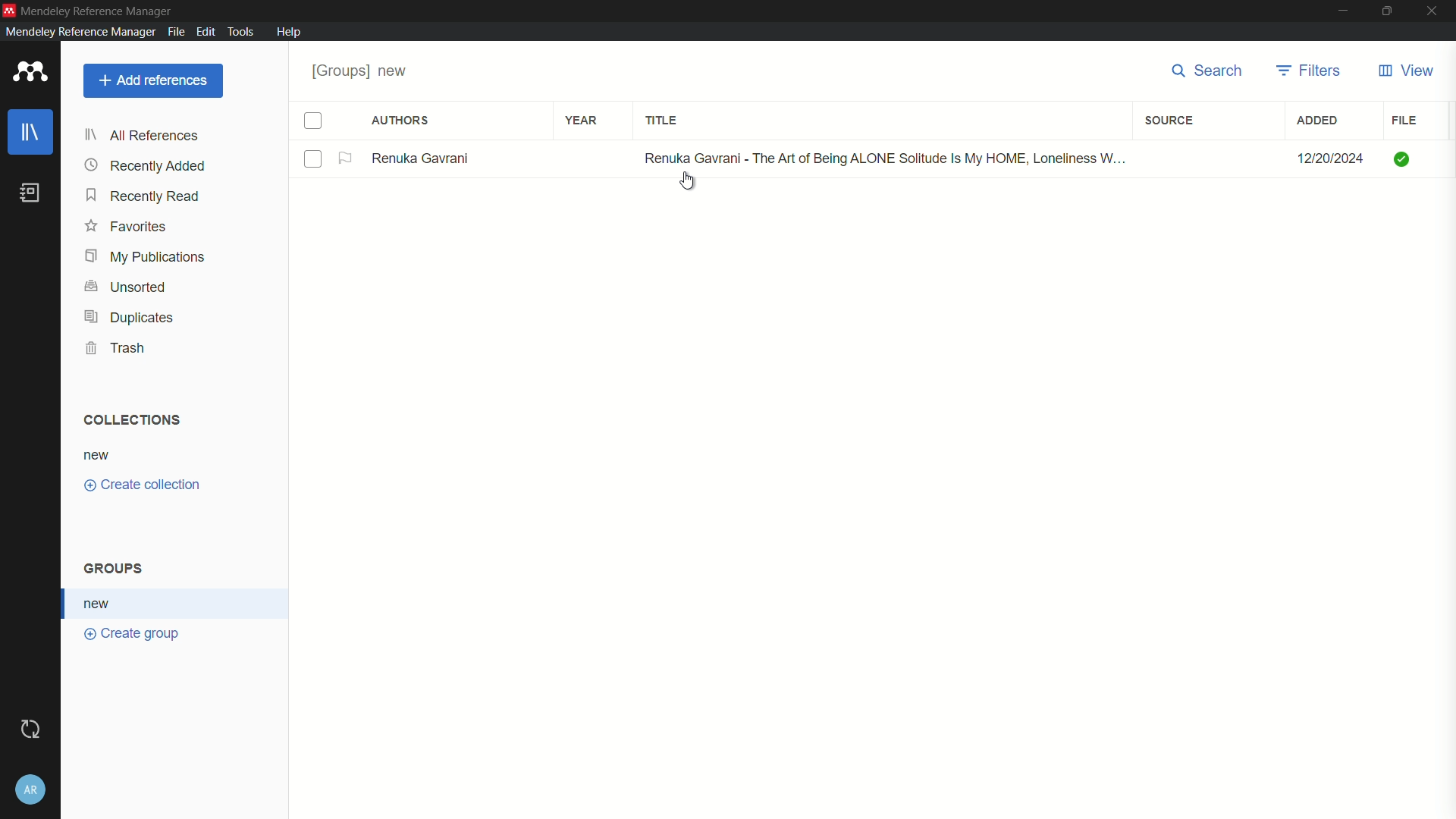 The image size is (1456, 819). Describe the element at coordinates (145, 257) in the screenshot. I see `my publications` at that location.